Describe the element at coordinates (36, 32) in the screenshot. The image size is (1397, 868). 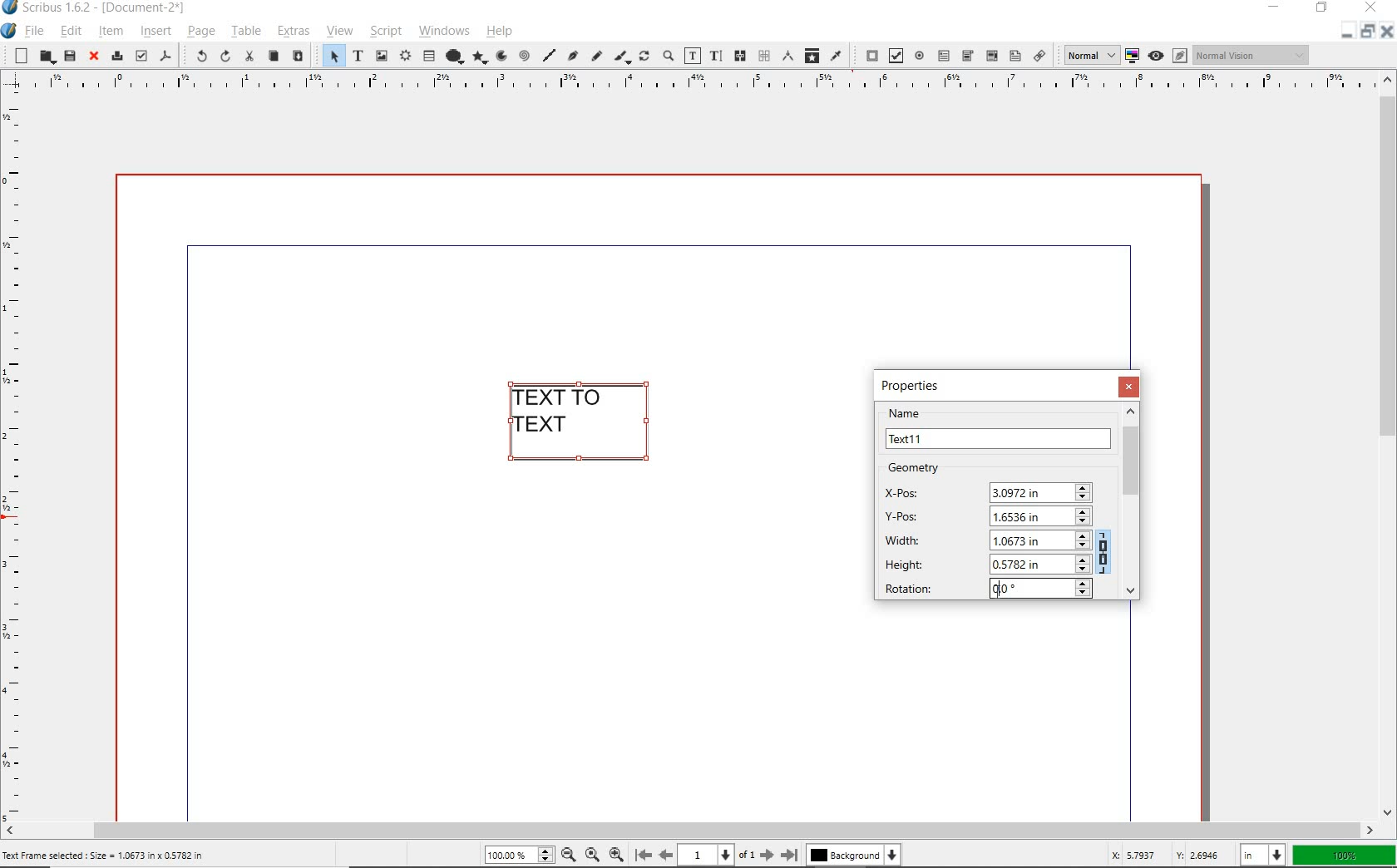
I see `file` at that location.